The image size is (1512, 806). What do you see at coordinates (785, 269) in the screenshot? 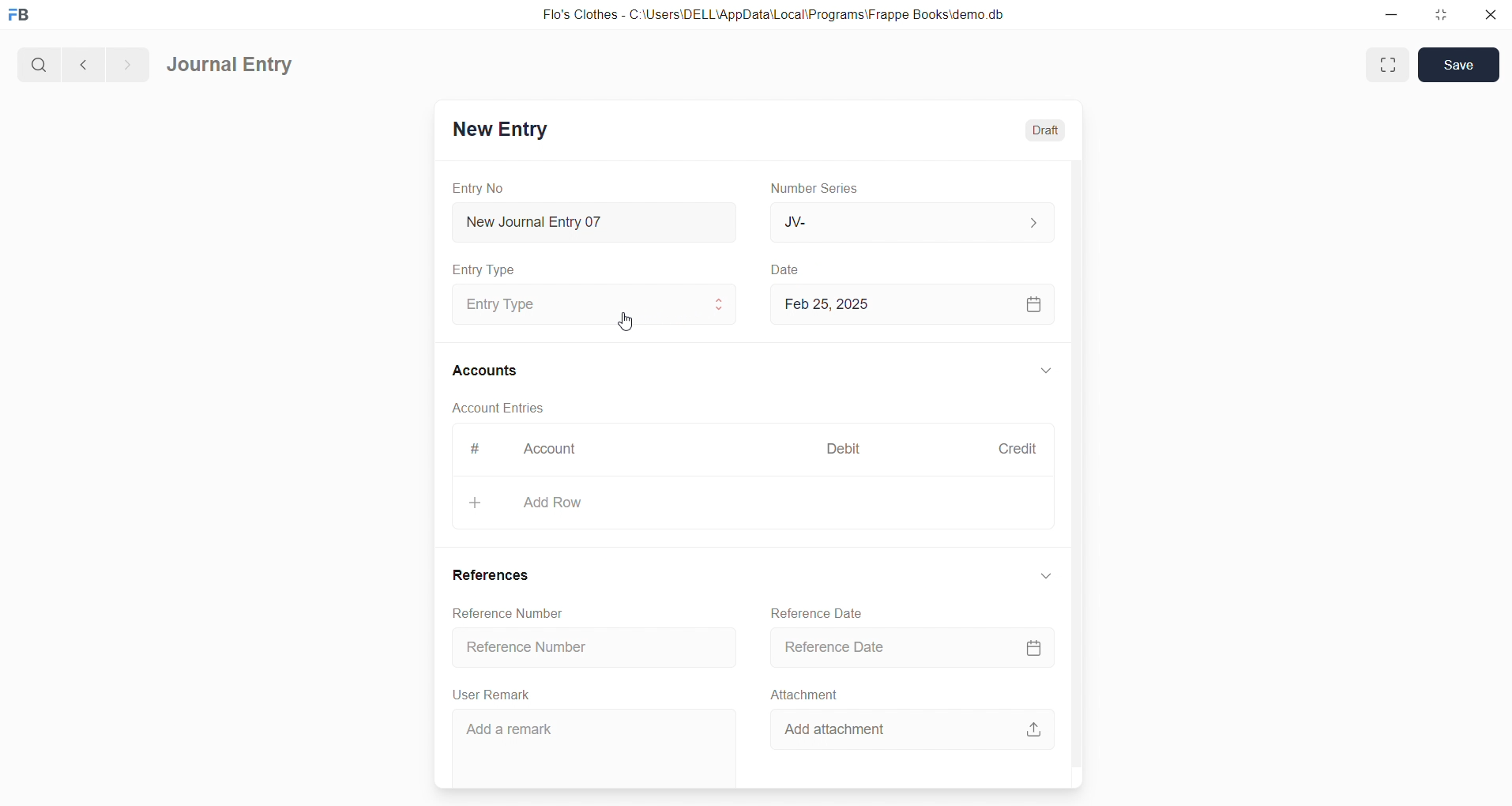
I see `Date` at bounding box center [785, 269].